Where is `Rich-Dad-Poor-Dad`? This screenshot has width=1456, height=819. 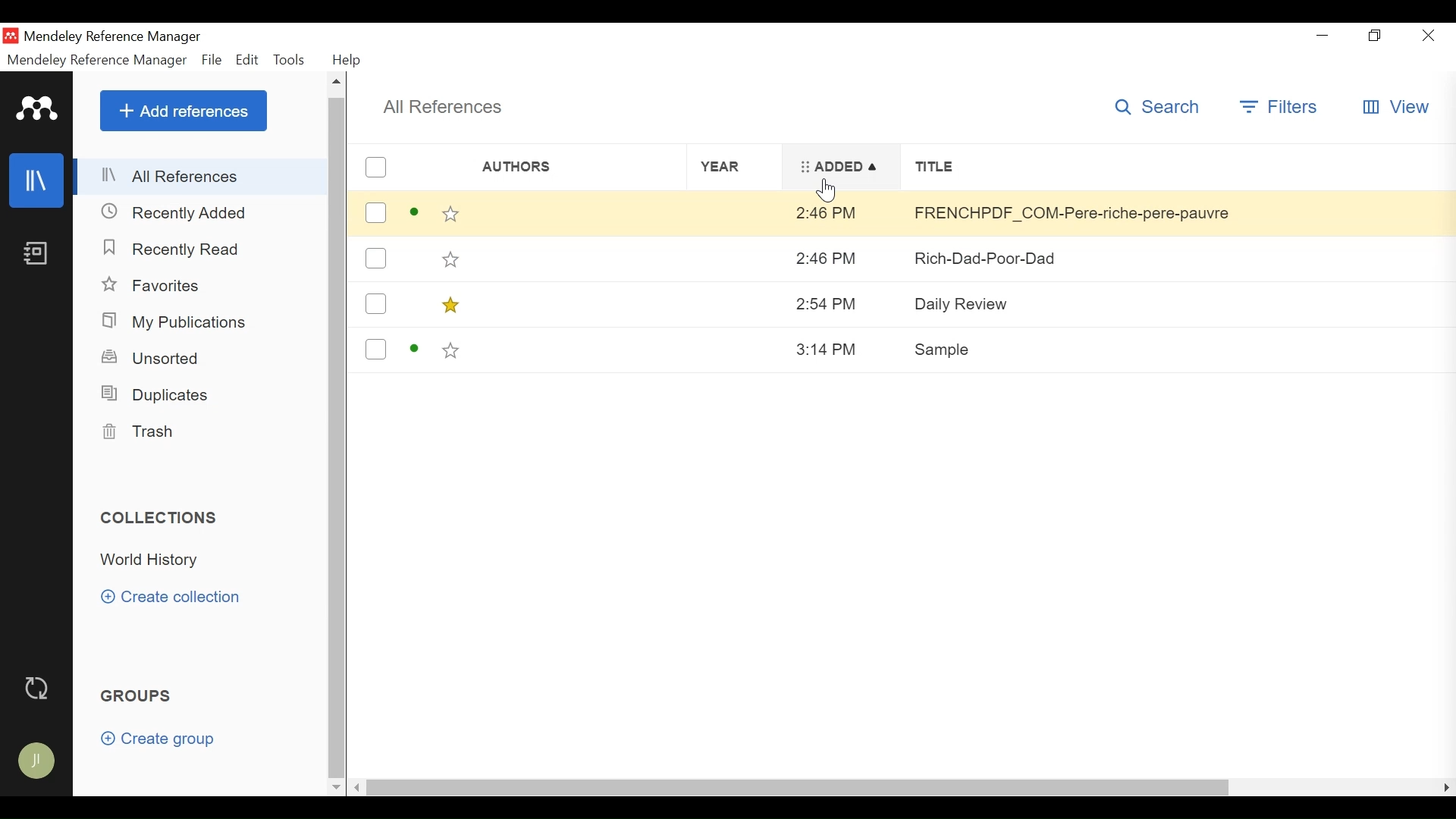 Rich-Dad-Poor-Dad is located at coordinates (1178, 309).